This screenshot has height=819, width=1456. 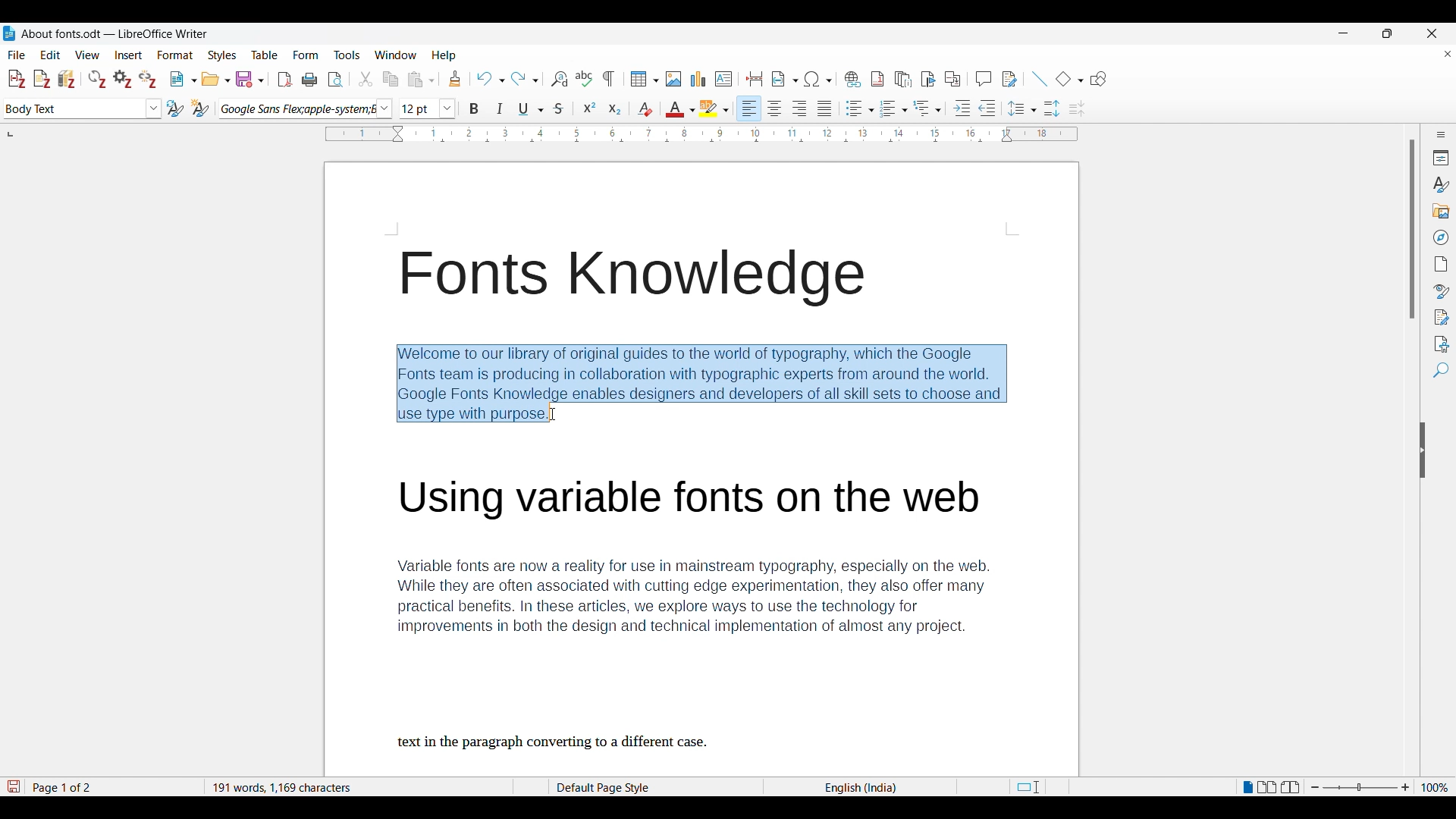 I want to click on Insert field, so click(x=785, y=79).